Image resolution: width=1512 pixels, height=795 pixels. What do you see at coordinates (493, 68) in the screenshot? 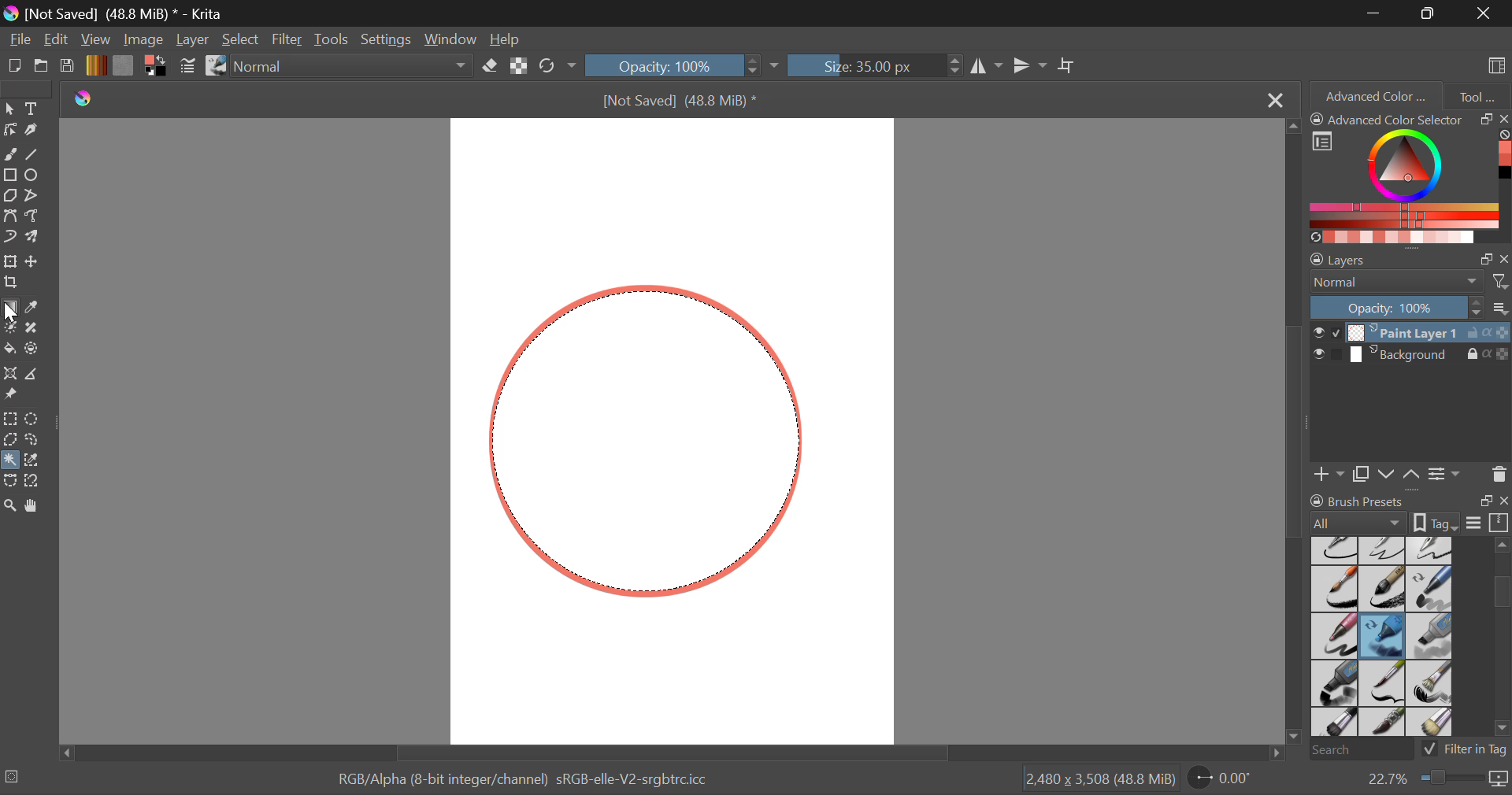
I see `Erase` at bounding box center [493, 68].